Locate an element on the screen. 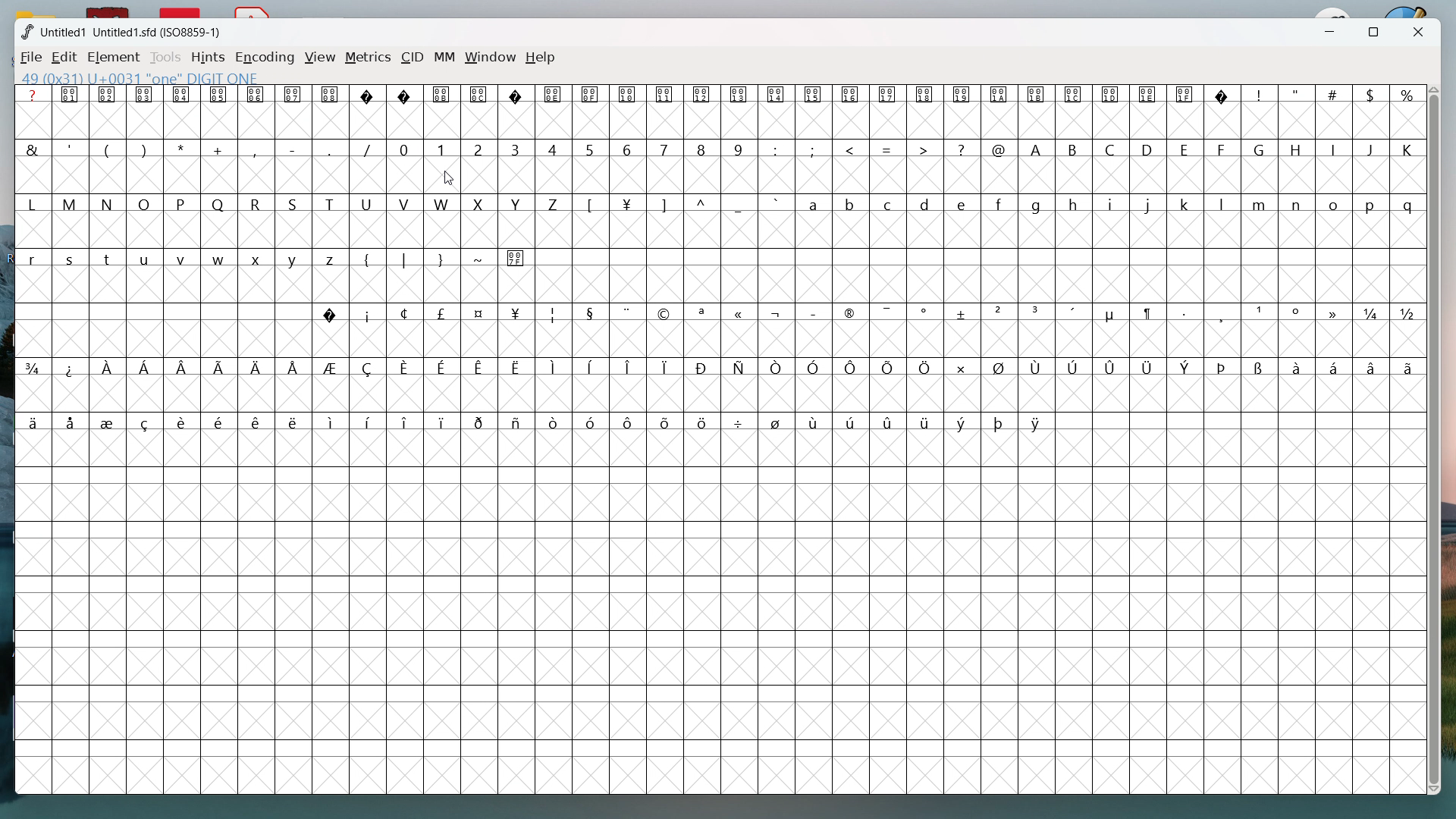 This screenshot has width=1456, height=819. symbol is located at coordinates (1226, 366).